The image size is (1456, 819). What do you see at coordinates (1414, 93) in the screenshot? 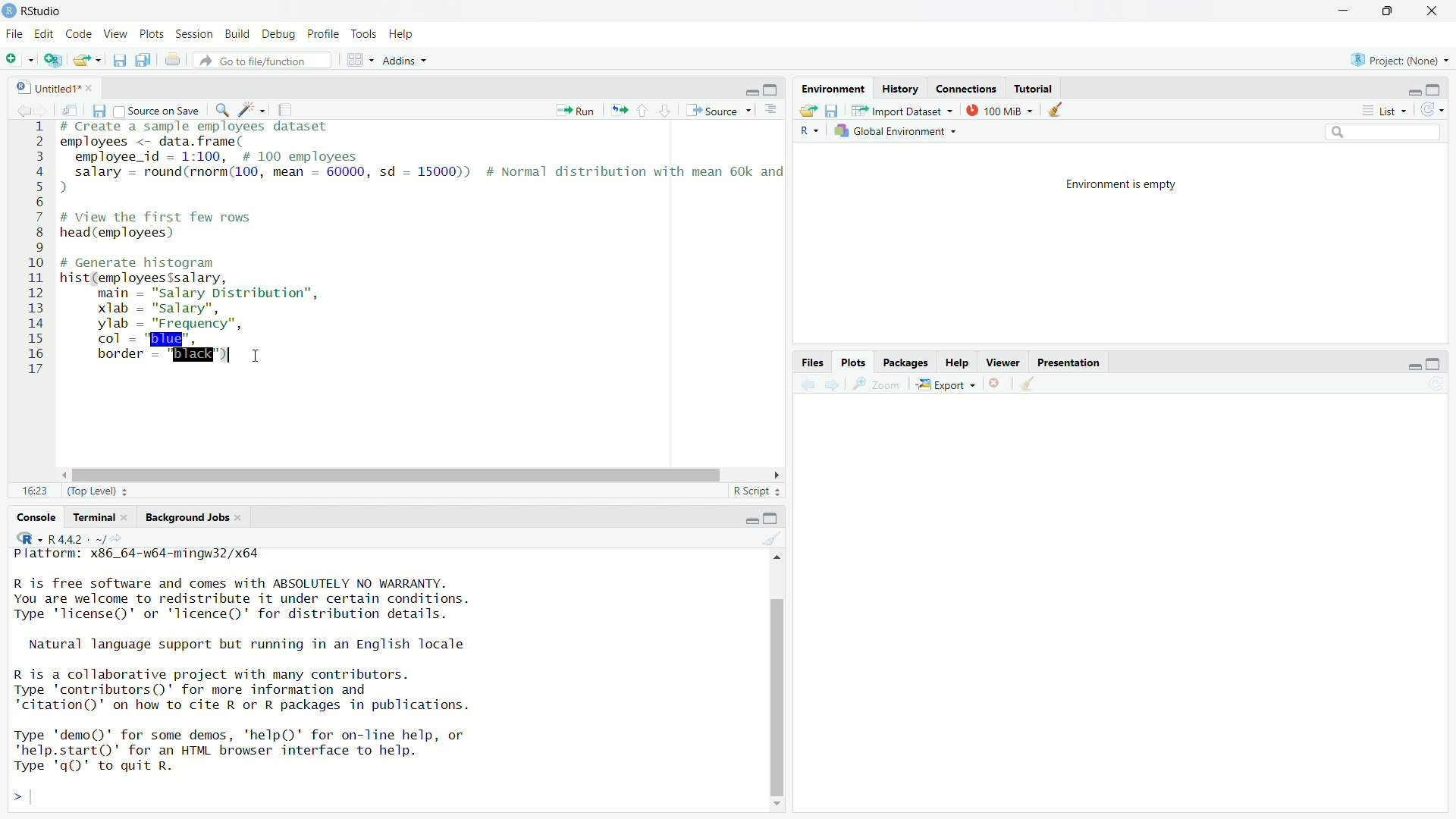
I see `minimise` at bounding box center [1414, 93].